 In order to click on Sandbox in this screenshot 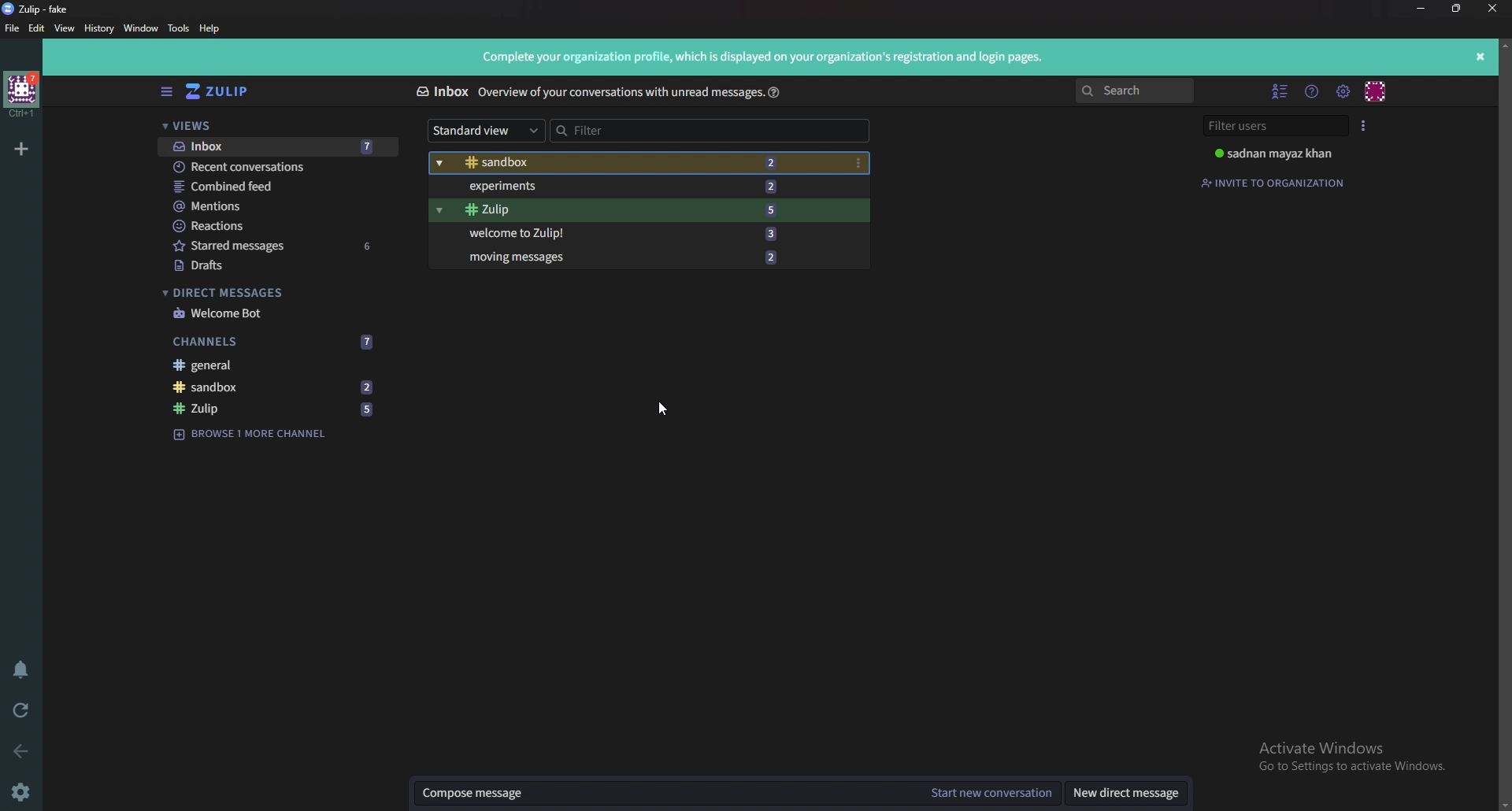, I will do `click(632, 164)`.